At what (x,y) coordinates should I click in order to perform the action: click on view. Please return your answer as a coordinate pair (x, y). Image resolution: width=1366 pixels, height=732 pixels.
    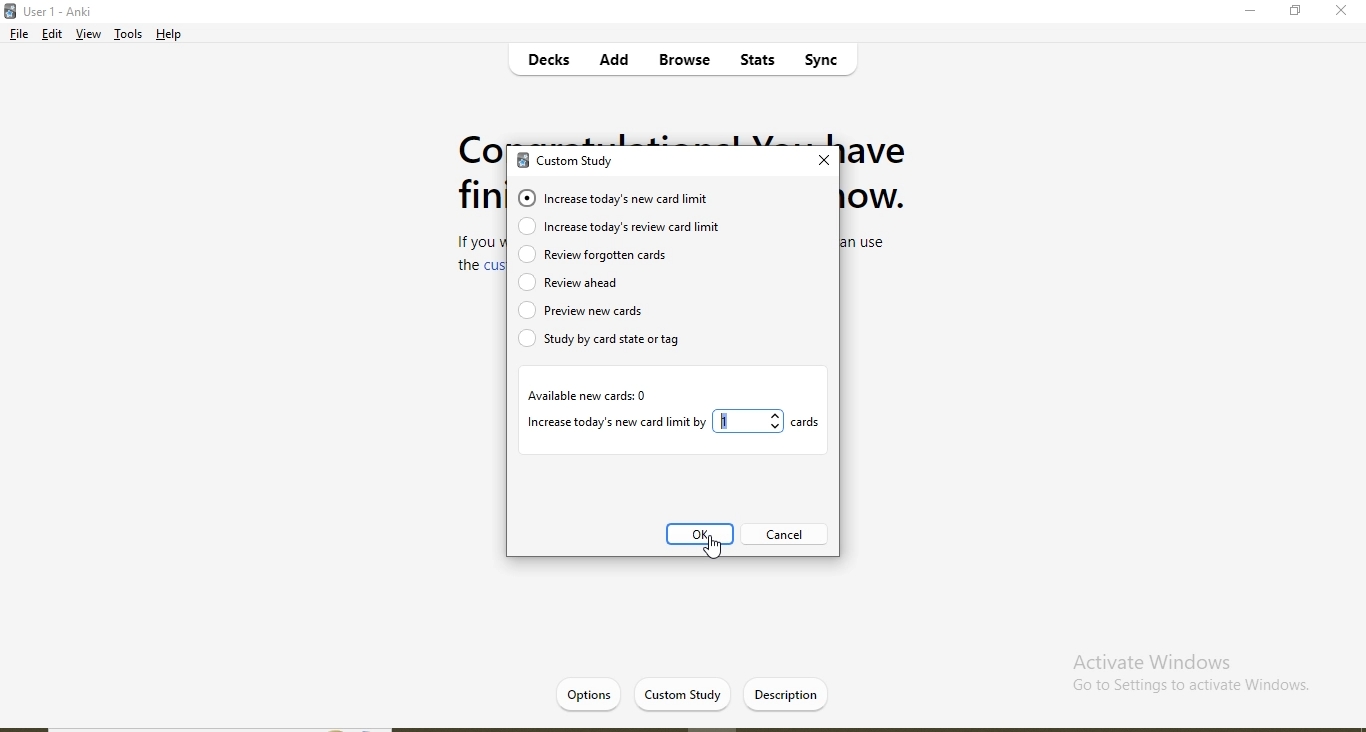
    Looking at the image, I should click on (88, 36).